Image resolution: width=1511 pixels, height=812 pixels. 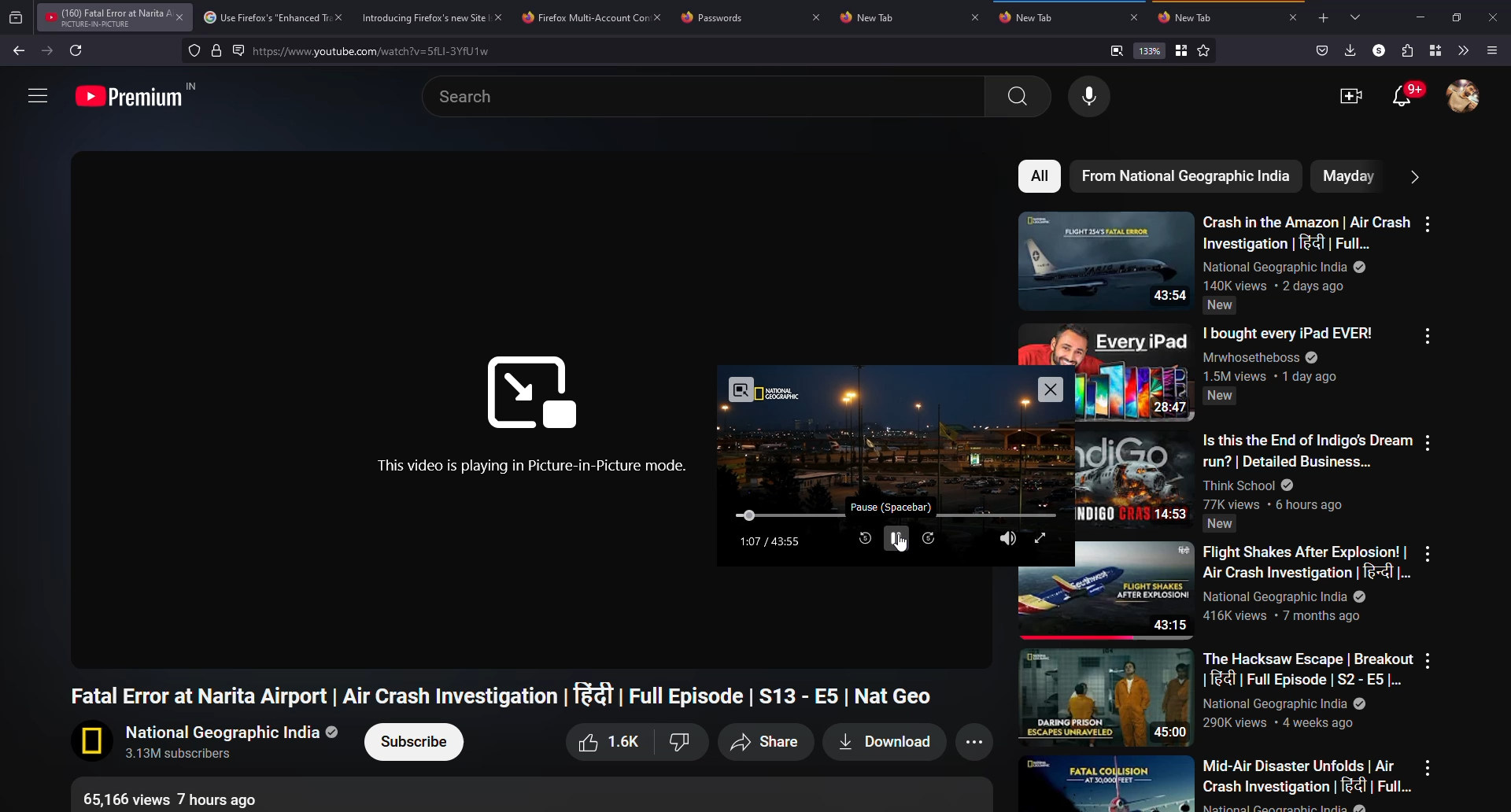 What do you see at coordinates (679, 742) in the screenshot?
I see `Dislike` at bounding box center [679, 742].